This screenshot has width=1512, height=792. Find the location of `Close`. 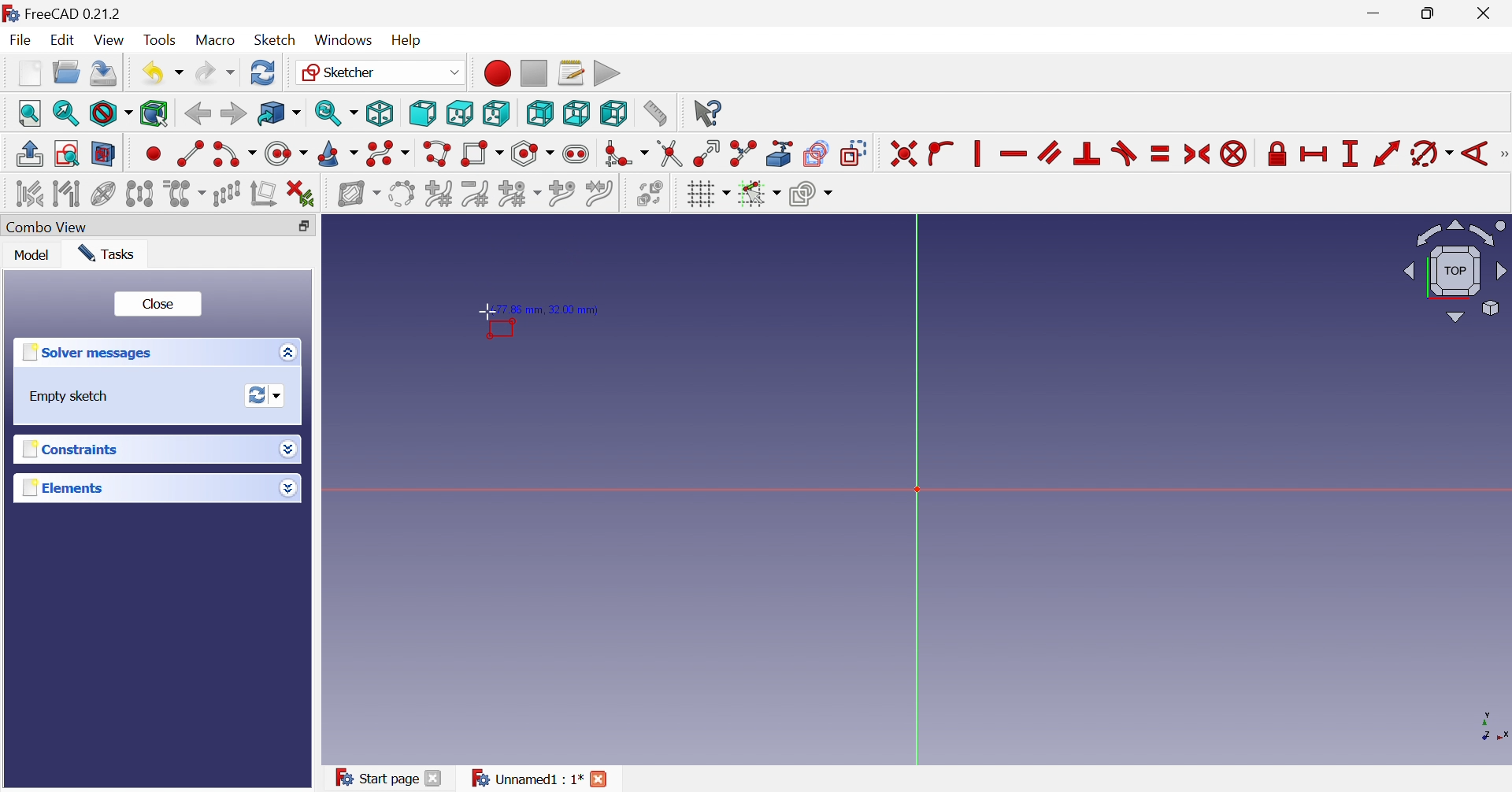

Close is located at coordinates (159, 306).